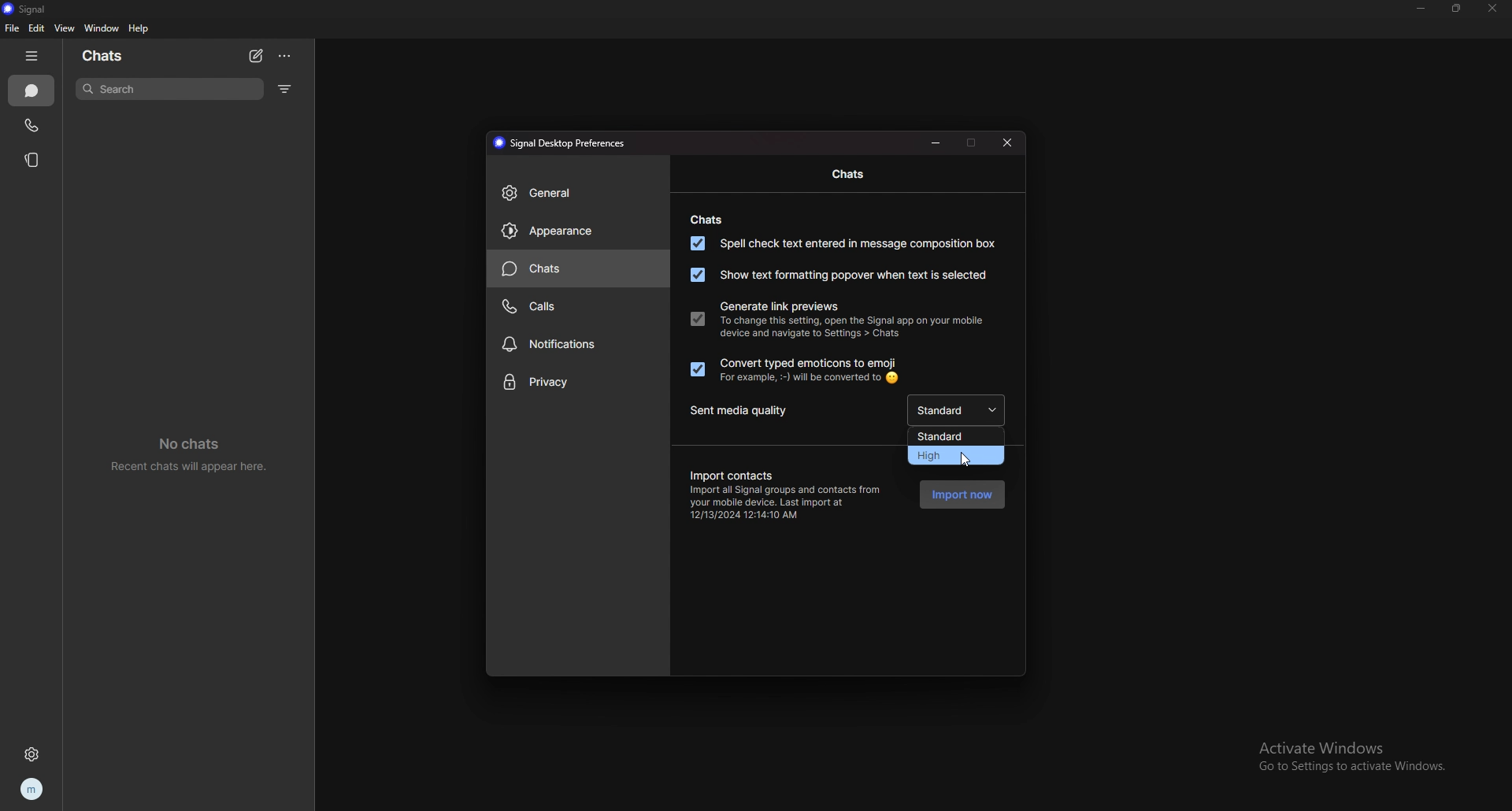 The height and width of the screenshot is (811, 1512). Describe the element at coordinates (576, 306) in the screenshot. I see `calls` at that location.